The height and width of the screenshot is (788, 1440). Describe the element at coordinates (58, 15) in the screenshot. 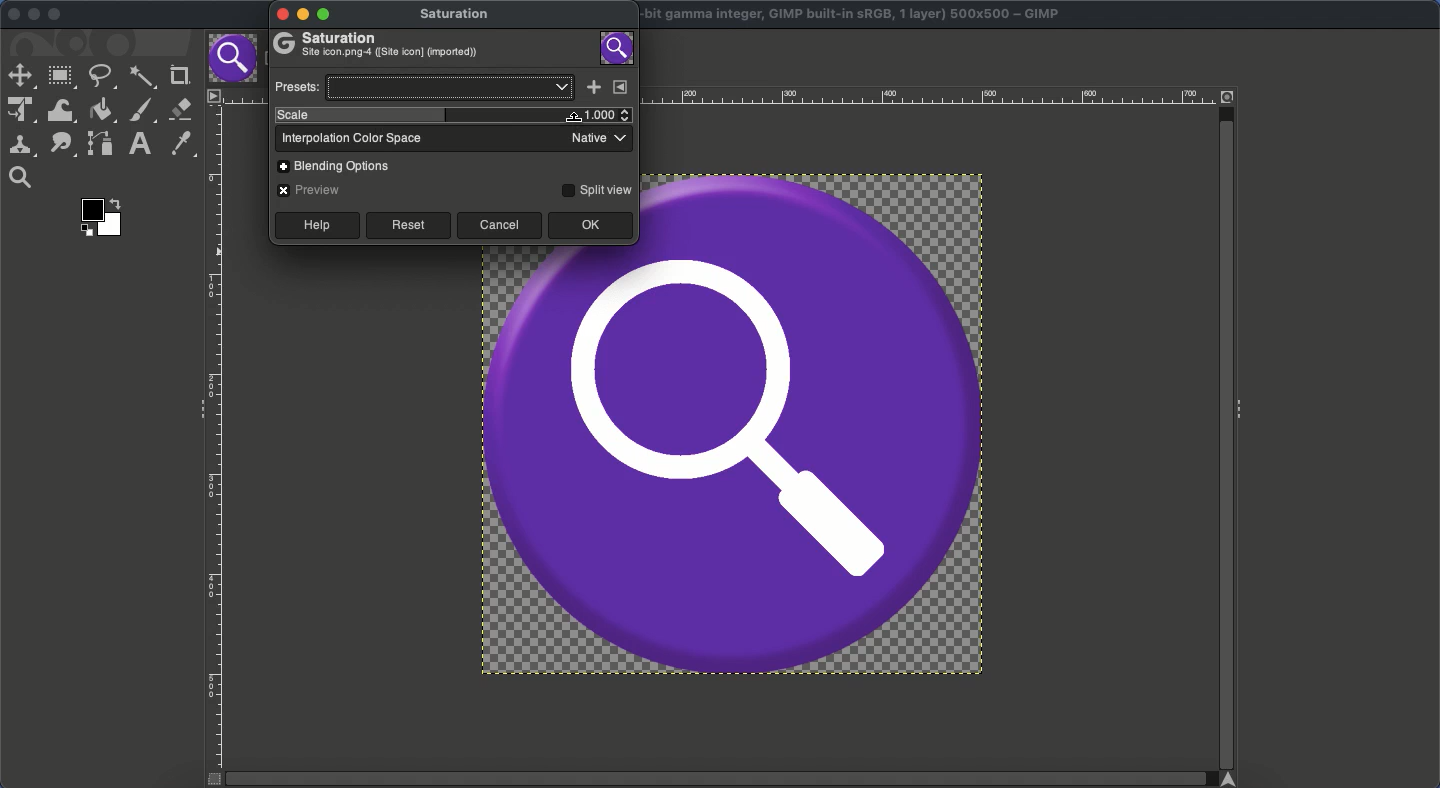

I see `Maximize` at that location.